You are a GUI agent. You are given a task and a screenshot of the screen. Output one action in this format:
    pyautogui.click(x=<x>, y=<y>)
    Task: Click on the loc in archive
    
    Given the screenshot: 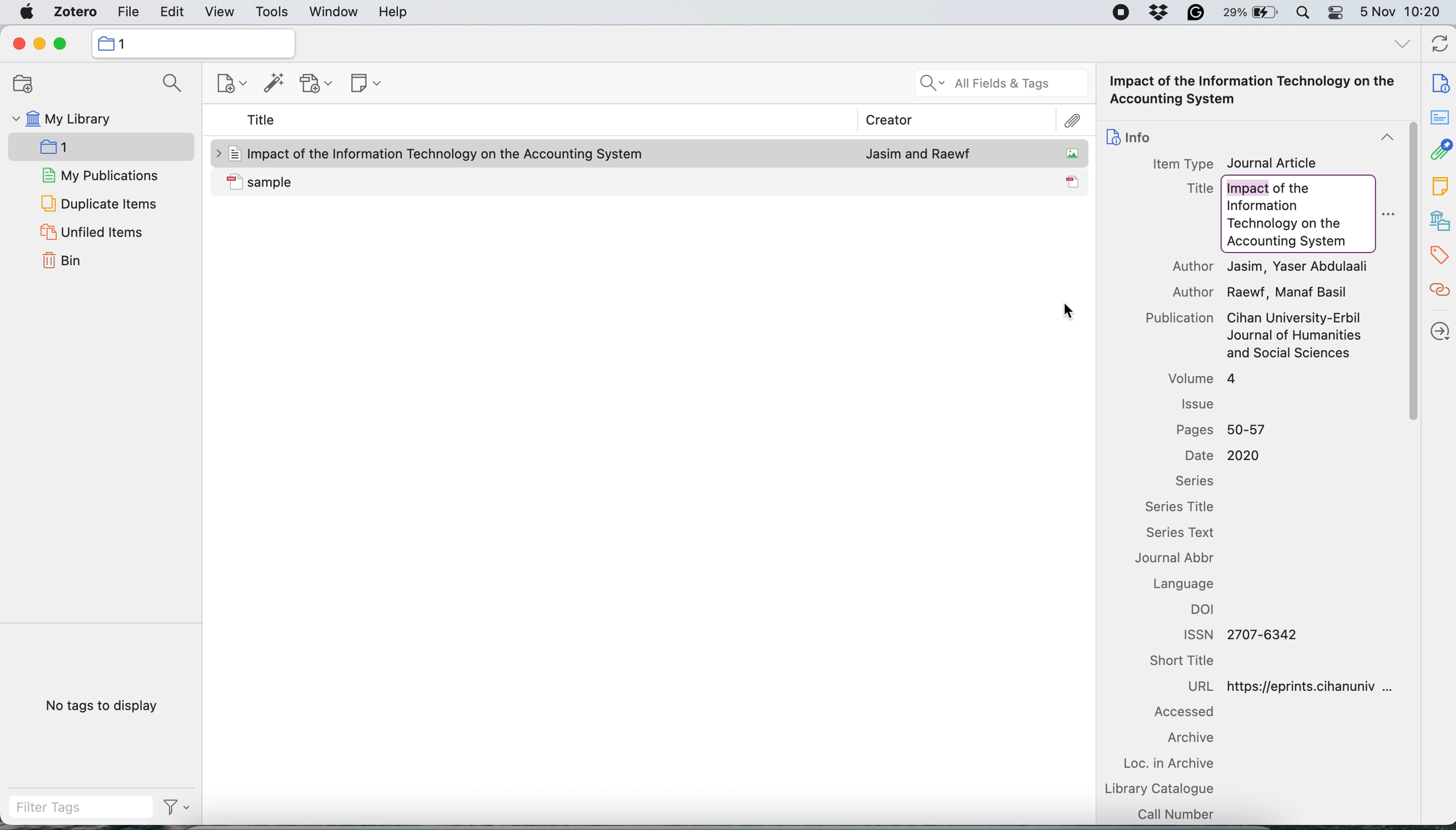 What is the action you would take?
    pyautogui.click(x=1175, y=762)
    